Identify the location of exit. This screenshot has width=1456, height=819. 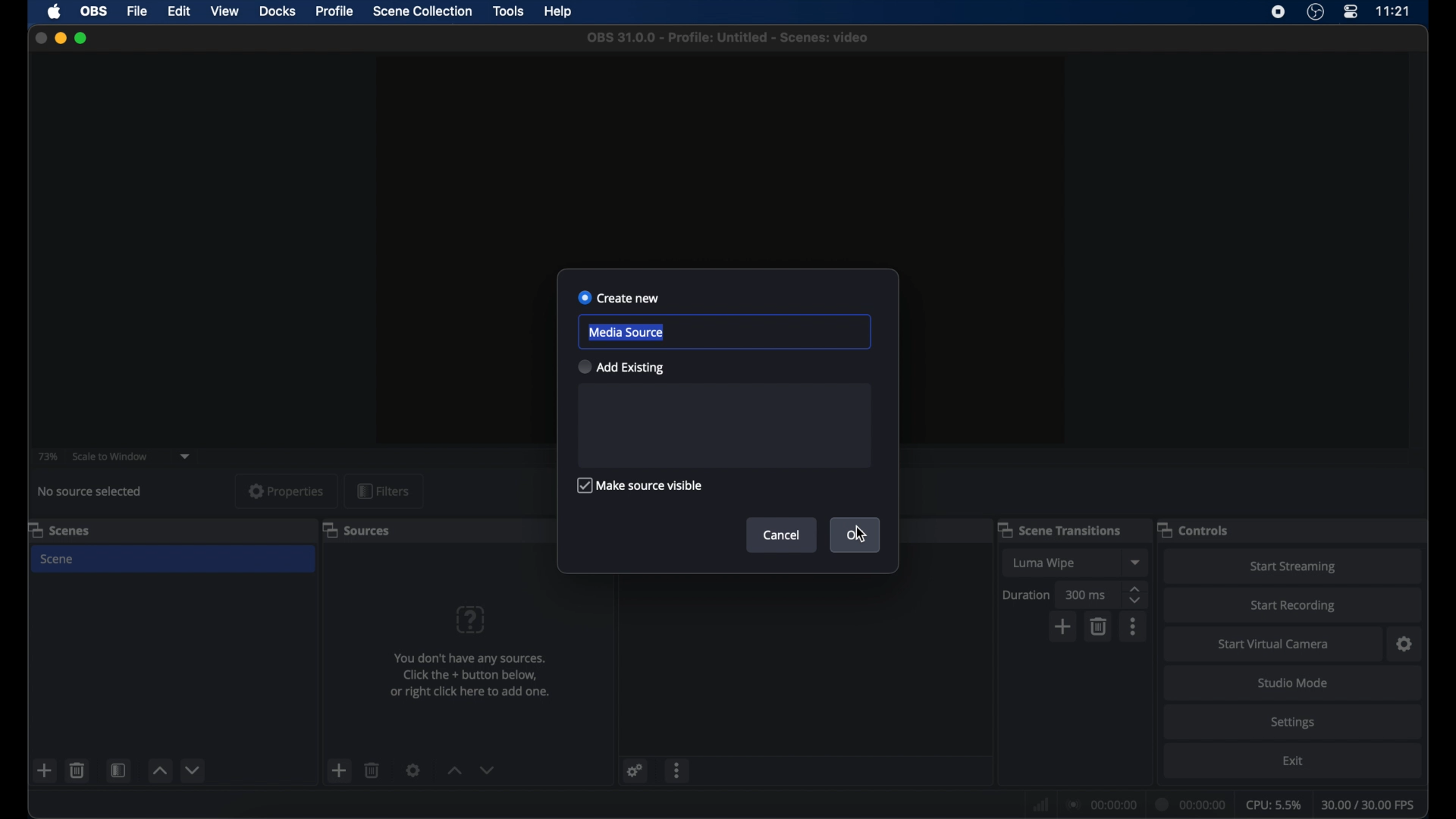
(1293, 761).